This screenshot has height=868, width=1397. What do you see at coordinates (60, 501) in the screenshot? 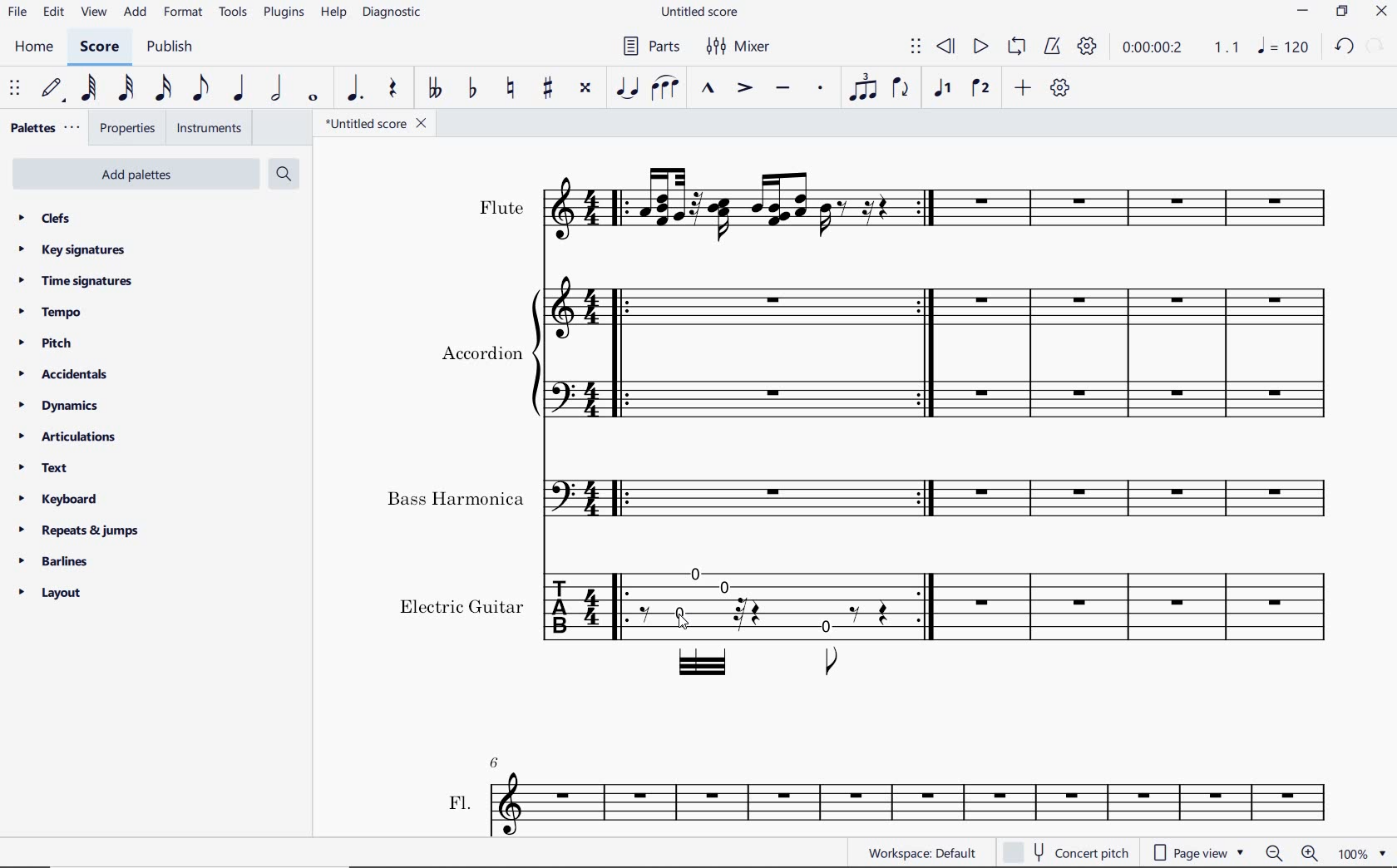
I see `keyboard` at bounding box center [60, 501].